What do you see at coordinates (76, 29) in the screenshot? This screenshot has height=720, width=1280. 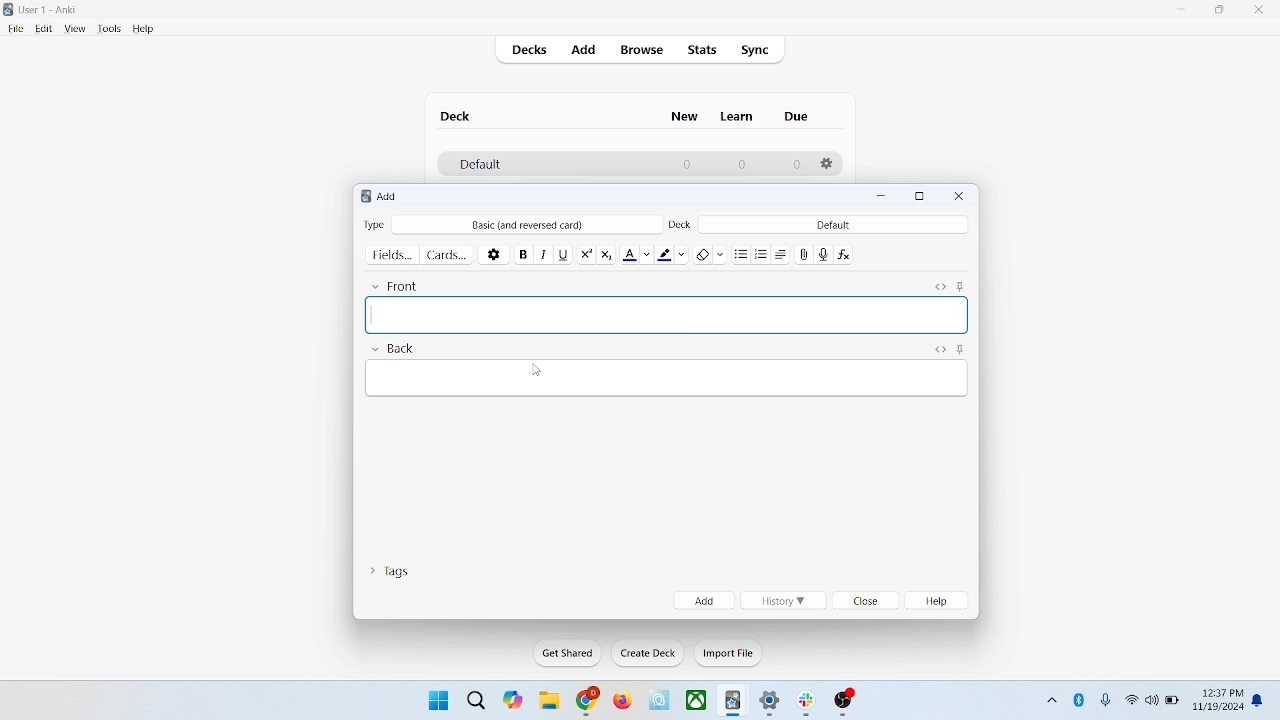 I see `view` at bounding box center [76, 29].